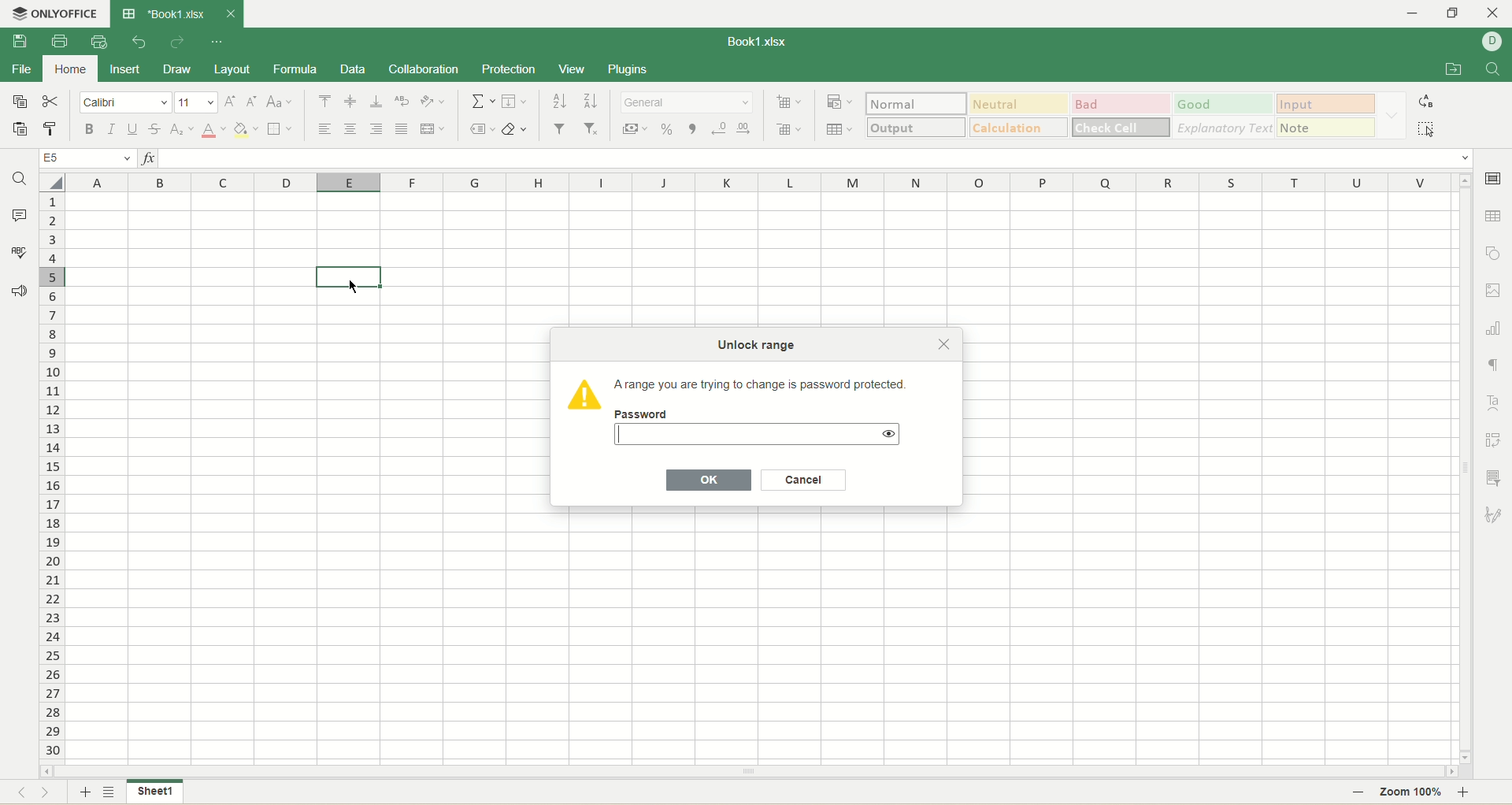 The width and height of the screenshot is (1512, 805). I want to click on percent style, so click(668, 129).